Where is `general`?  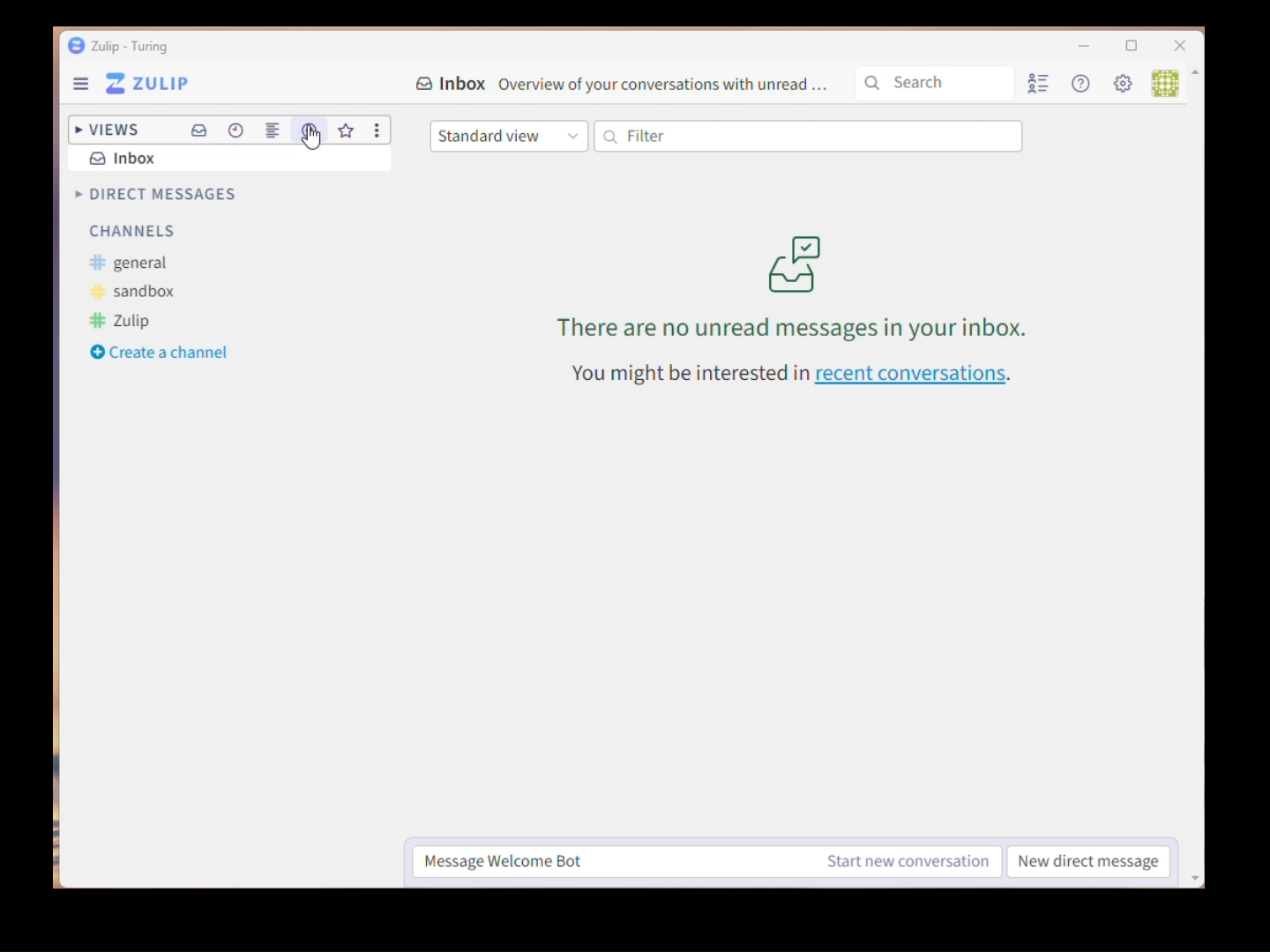 general is located at coordinates (130, 264).